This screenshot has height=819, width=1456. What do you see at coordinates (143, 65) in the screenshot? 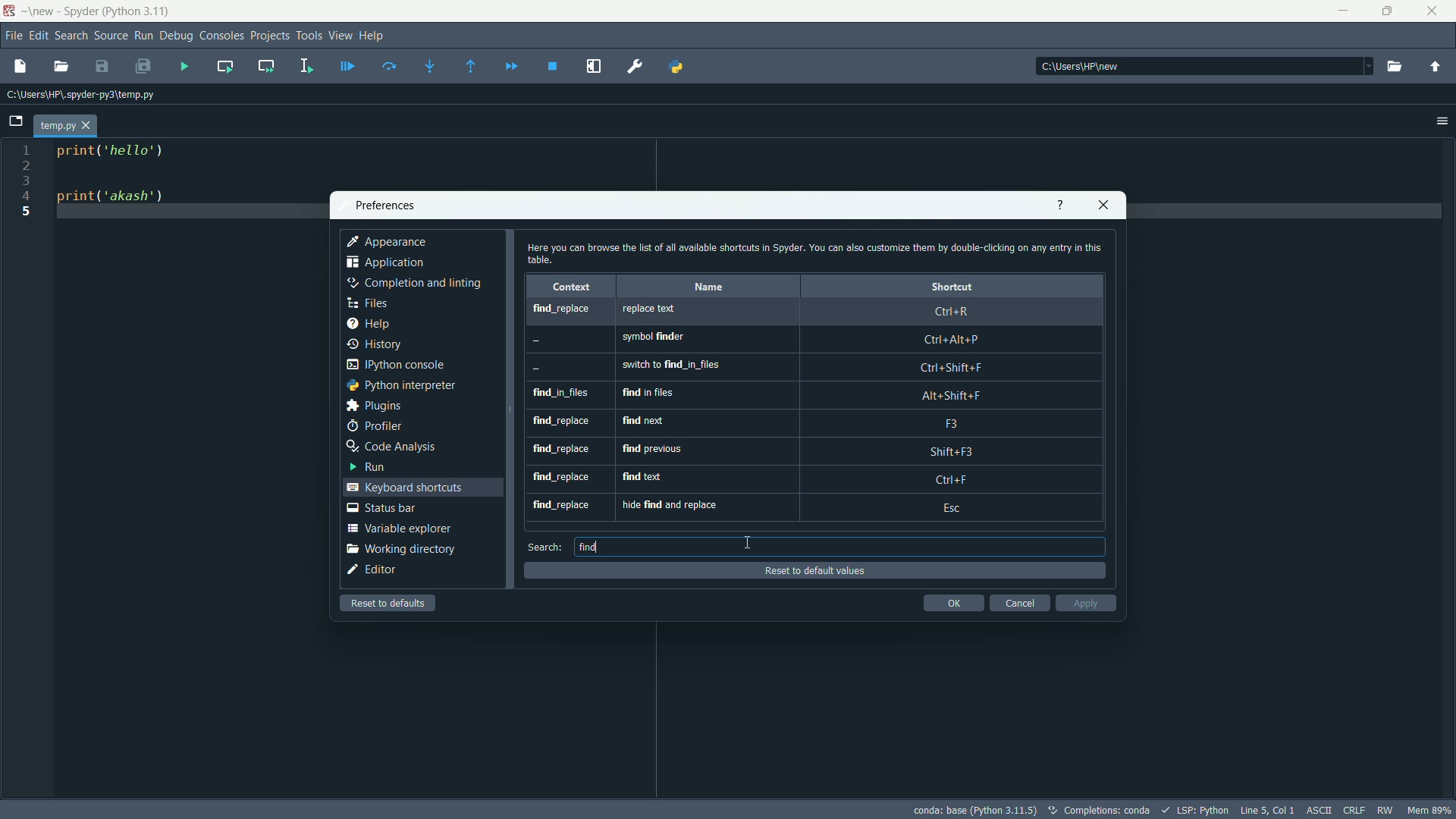
I see `save all files` at bounding box center [143, 65].